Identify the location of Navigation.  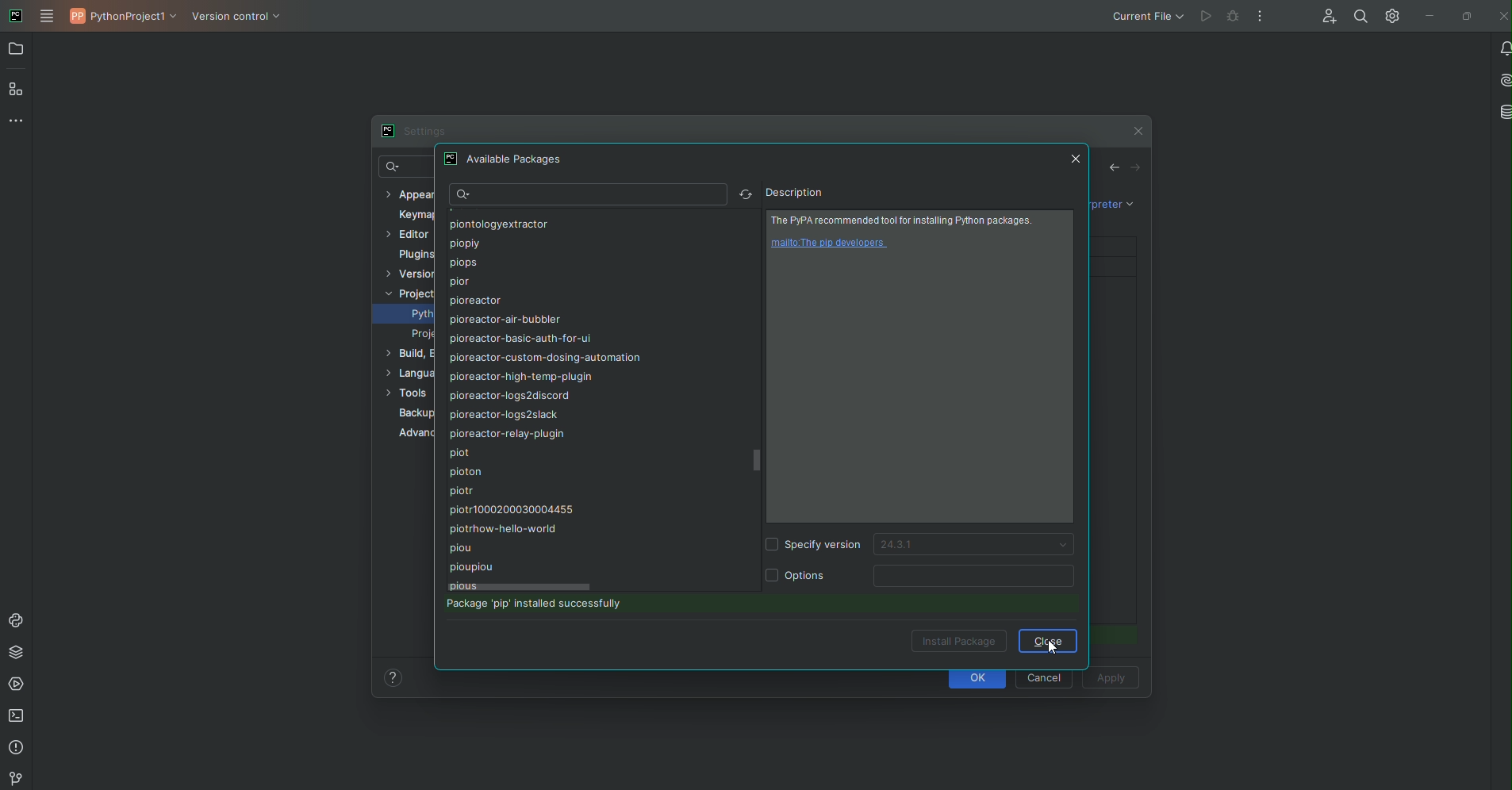
(1125, 169).